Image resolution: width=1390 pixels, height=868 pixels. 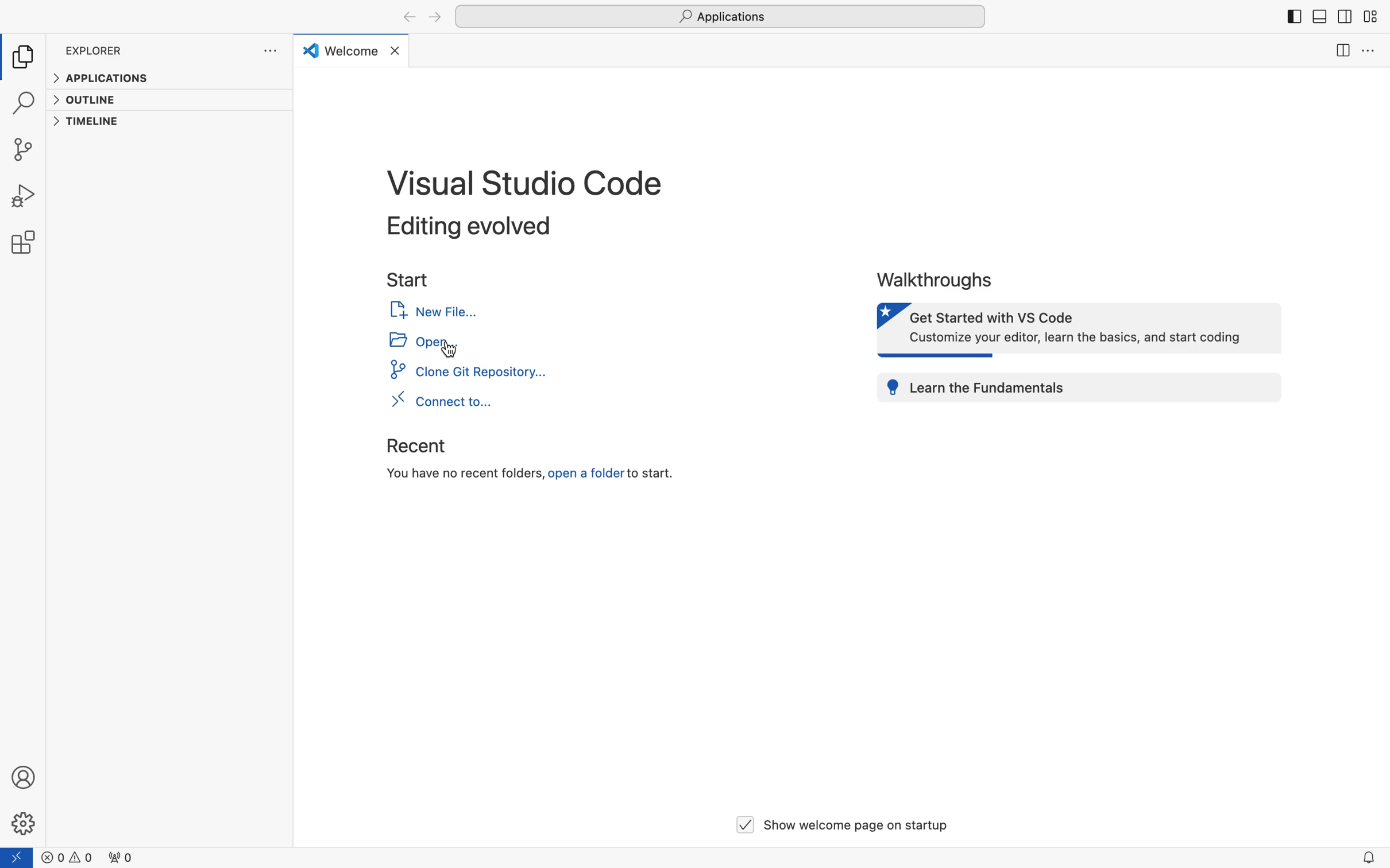 What do you see at coordinates (27, 241) in the screenshot?
I see `extension` at bounding box center [27, 241].